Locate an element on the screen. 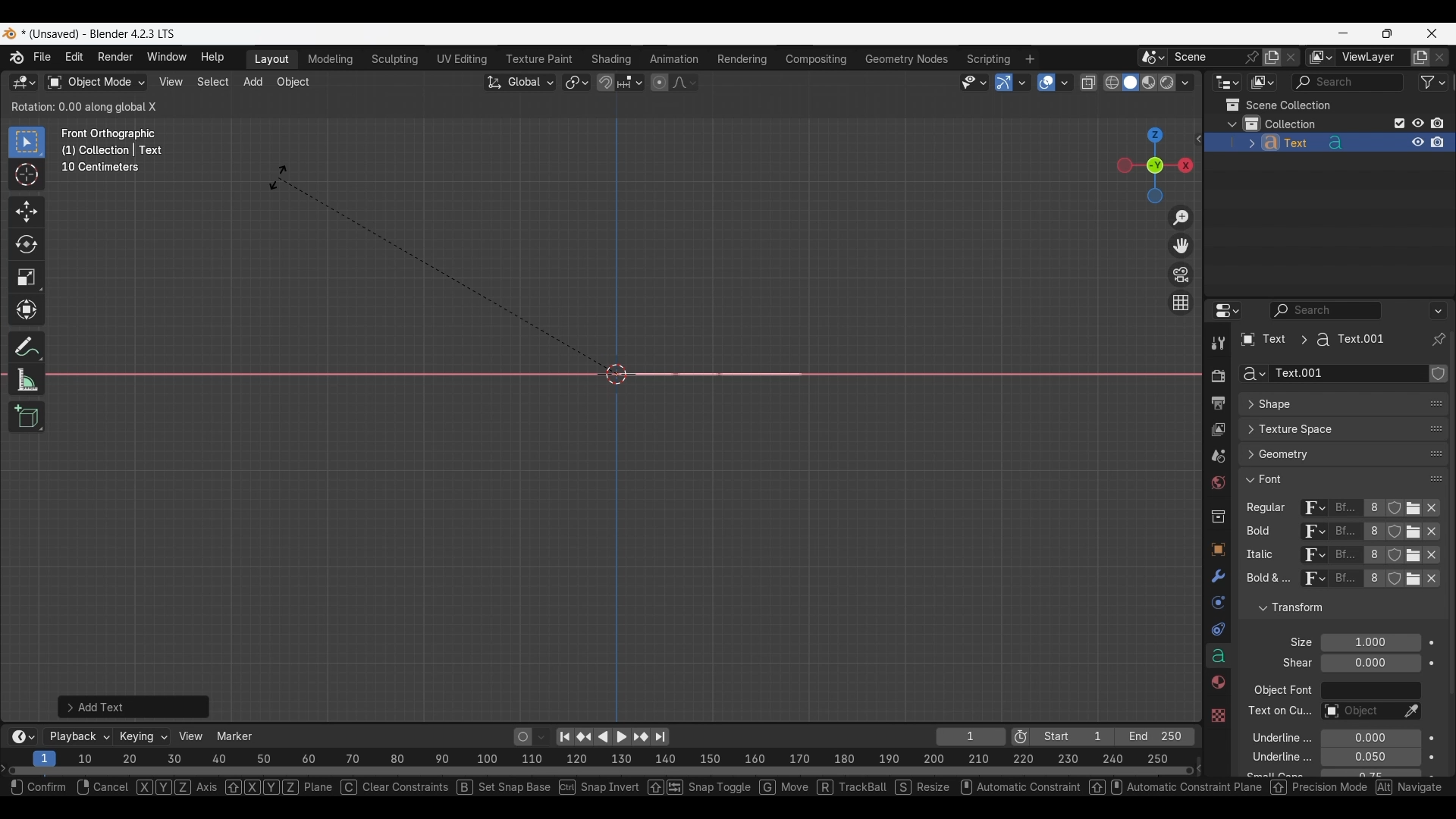 This screenshot has height=819, width=1456. Current frame is located at coordinates (971, 738).